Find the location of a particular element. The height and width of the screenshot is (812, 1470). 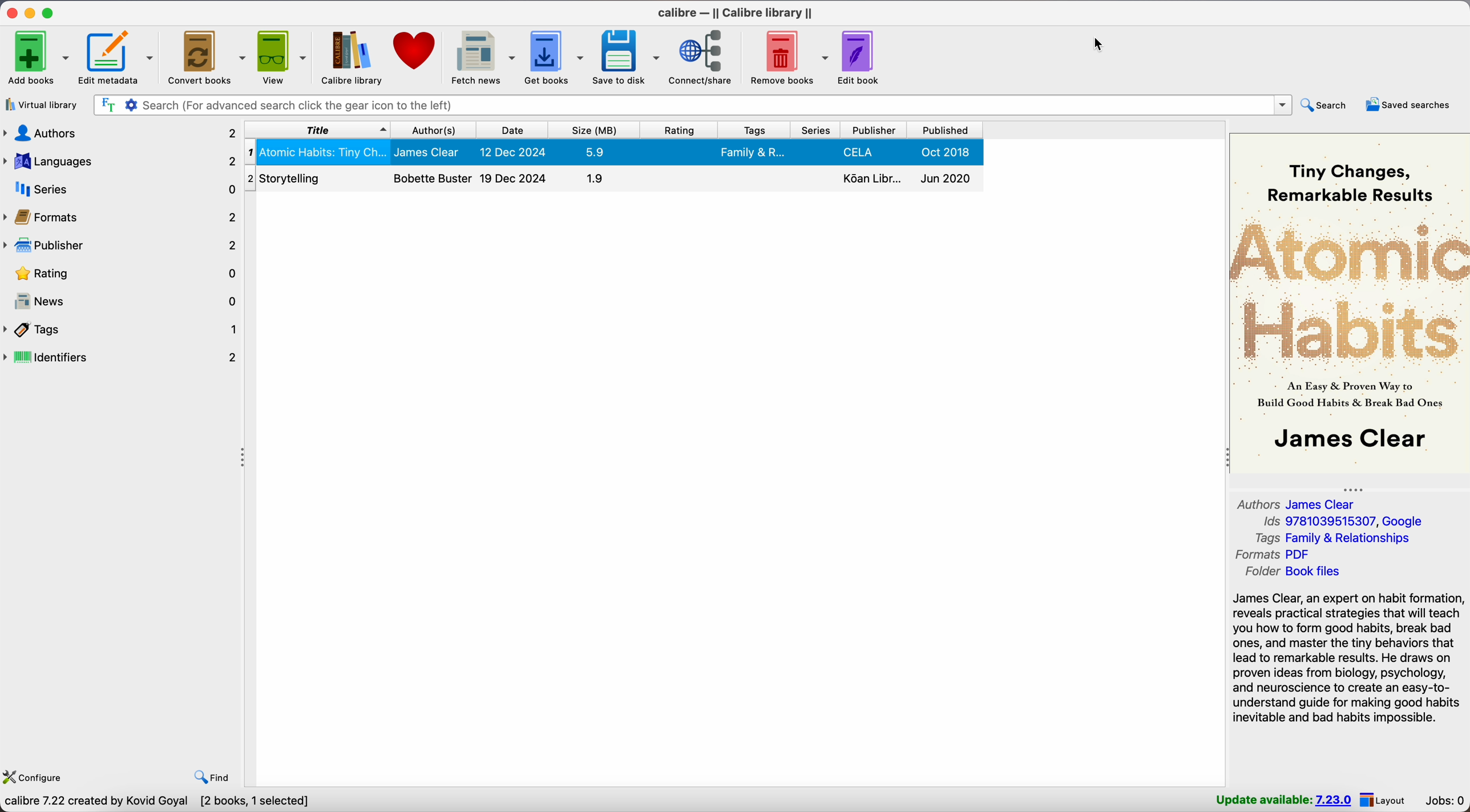

tags is located at coordinates (122, 329).